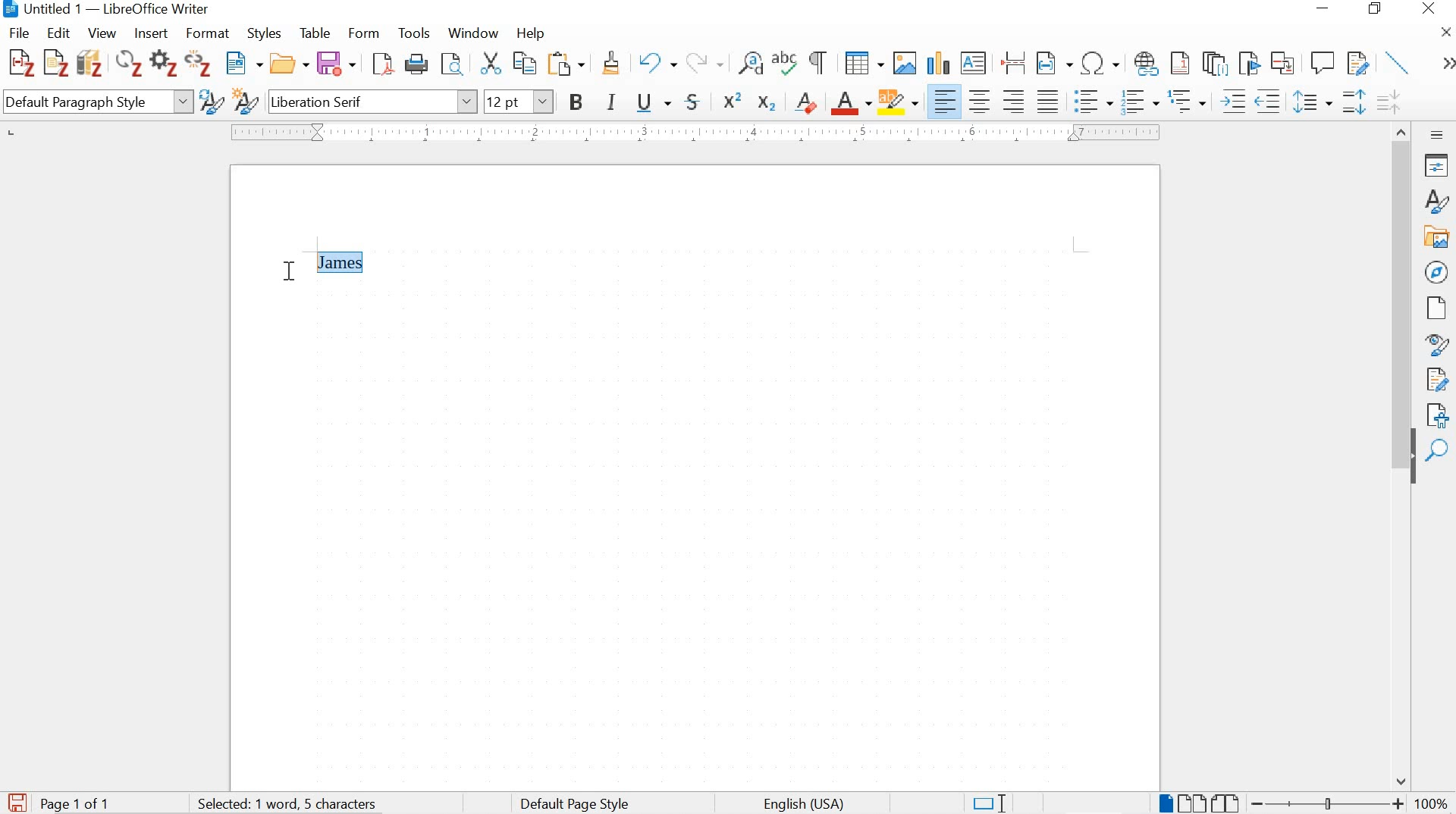 This screenshot has height=814, width=1456. Describe the element at coordinates (1412, 465) in the screenshot. I see `hide sidebar` at that location.